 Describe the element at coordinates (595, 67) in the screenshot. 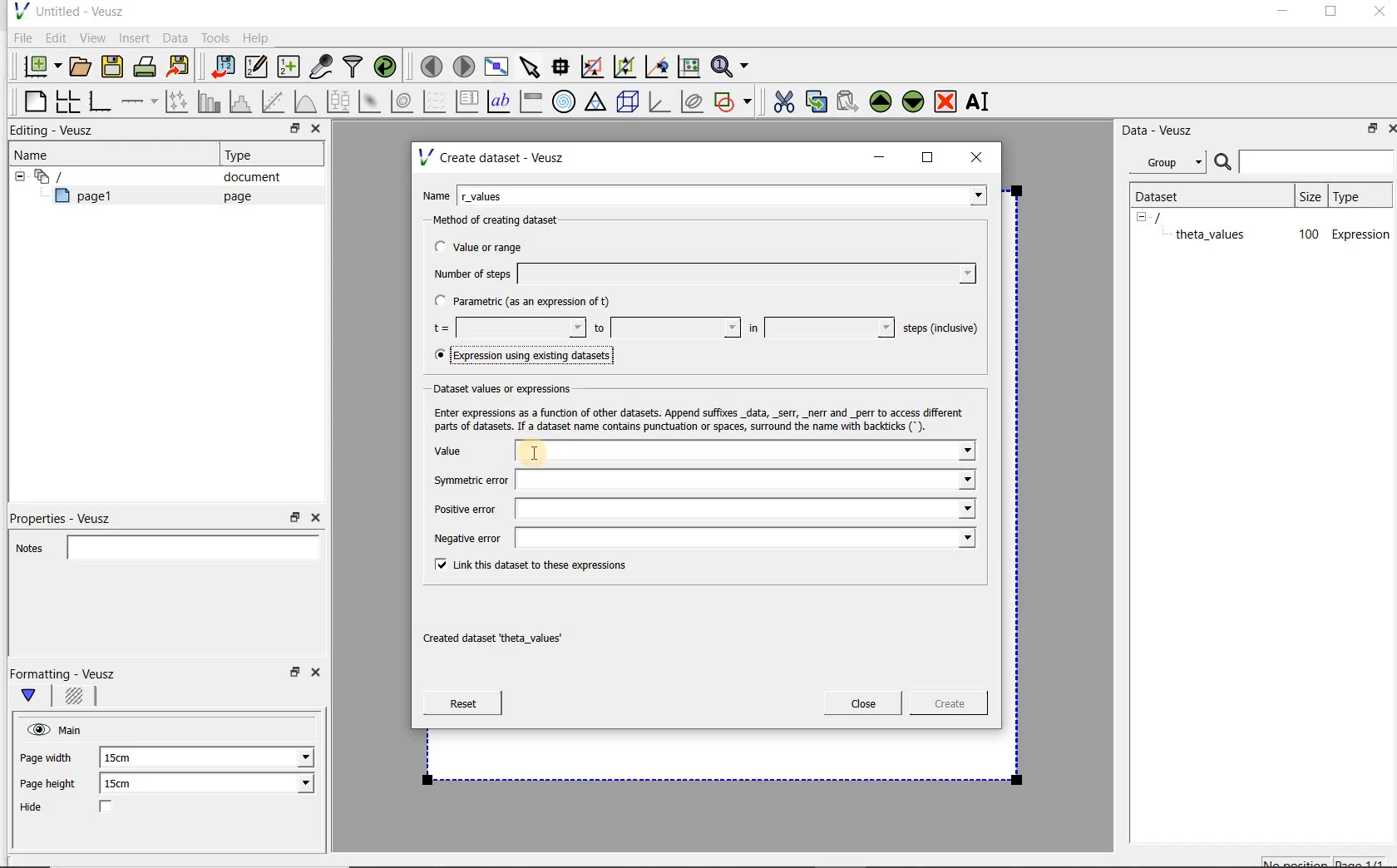

I see `click or draw a rectangle to zoom graph axes` at that location.